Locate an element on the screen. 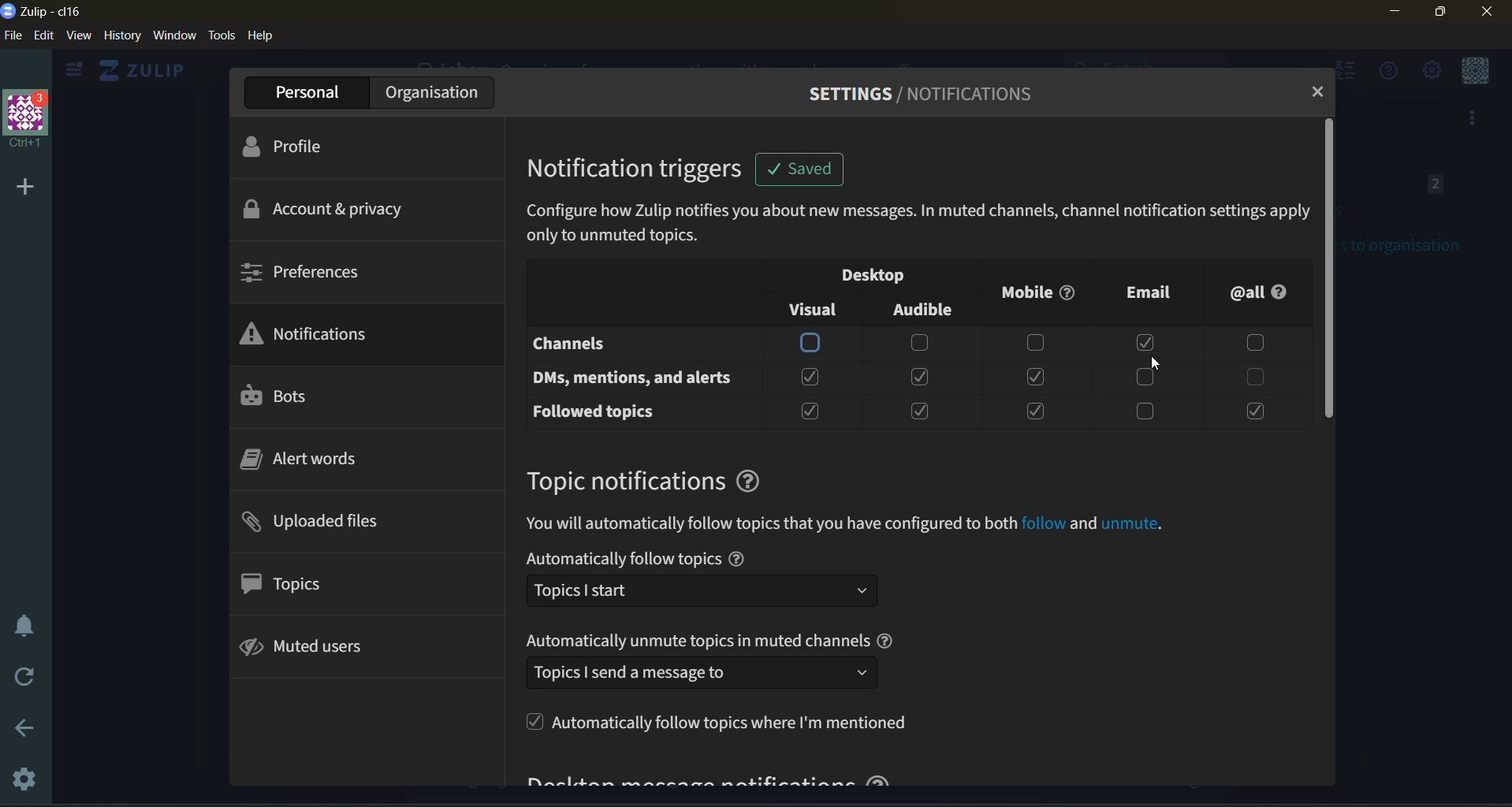  checkbox is located at coordinates (1034, 342).